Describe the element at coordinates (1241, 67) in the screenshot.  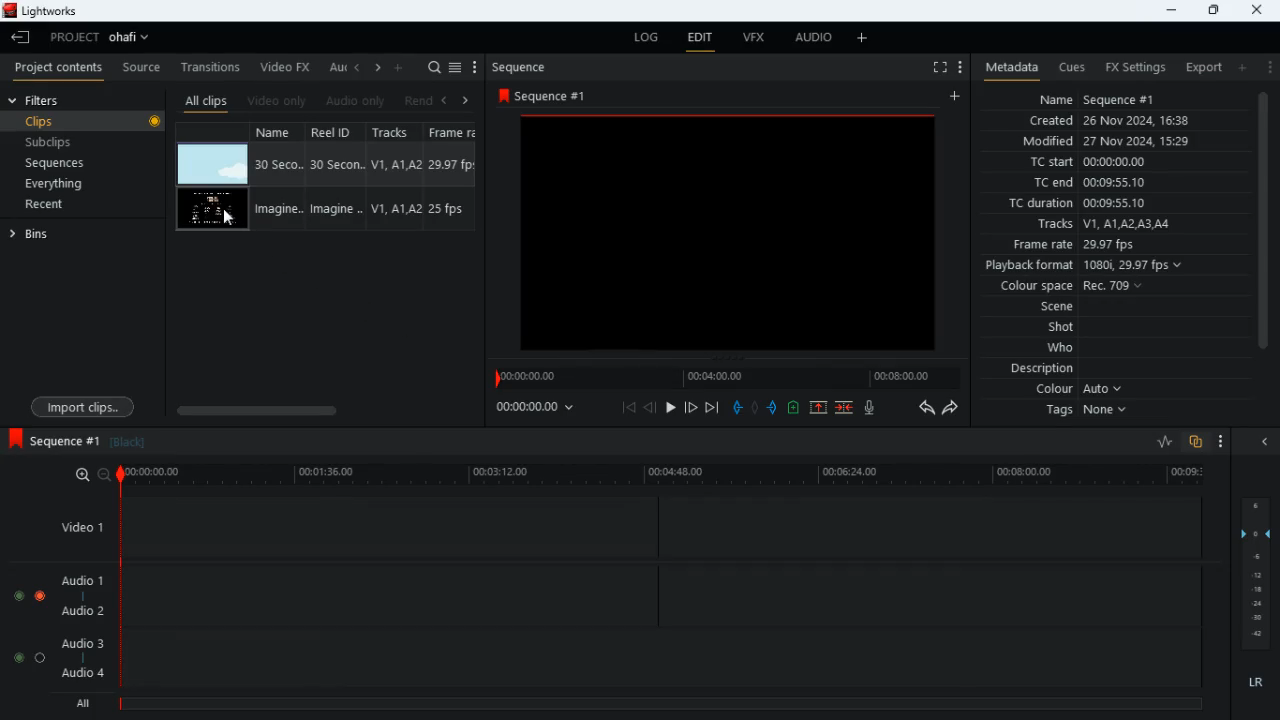
I see `add` at that location.